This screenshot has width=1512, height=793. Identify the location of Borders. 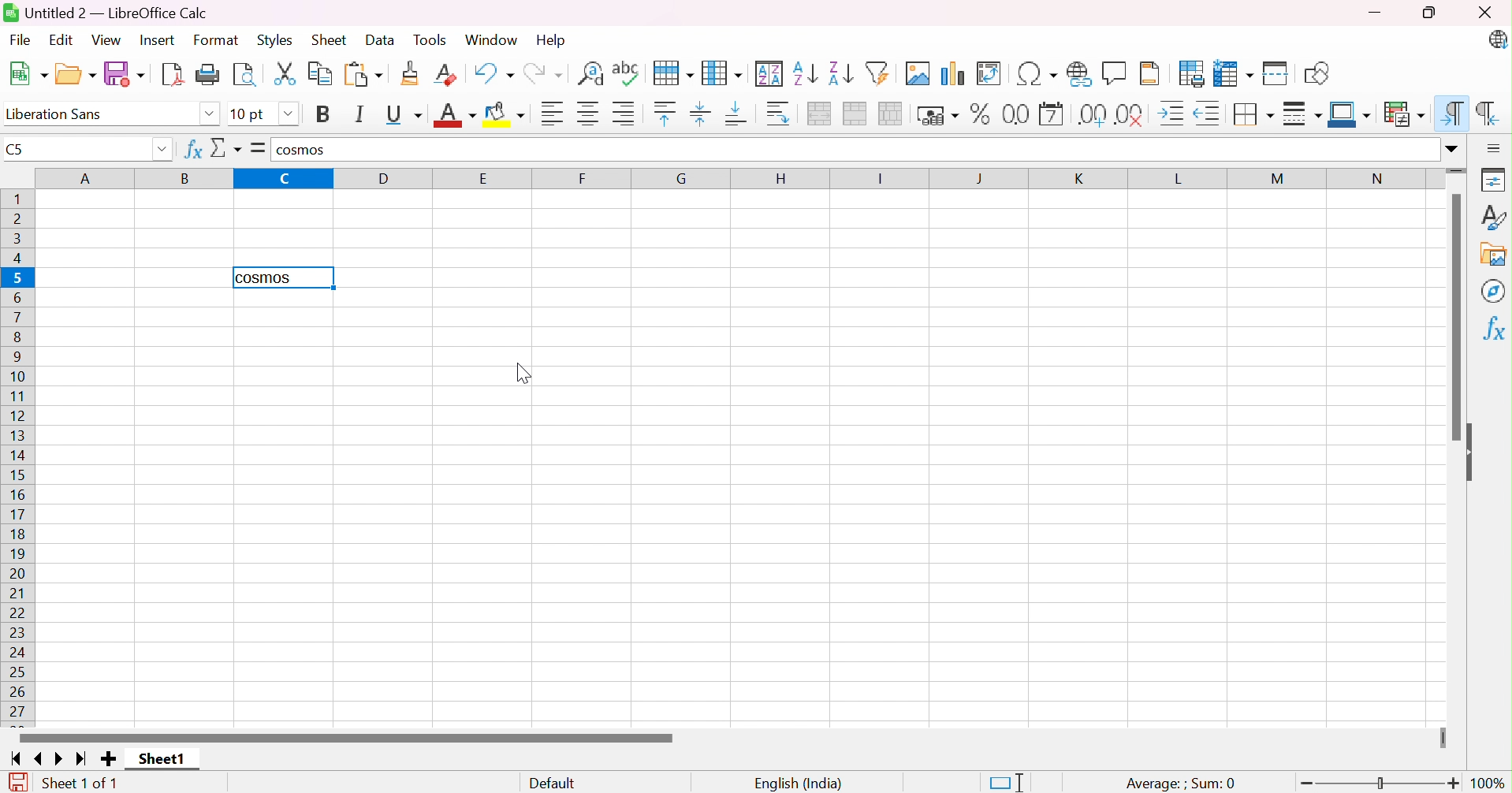
(1254, 116).